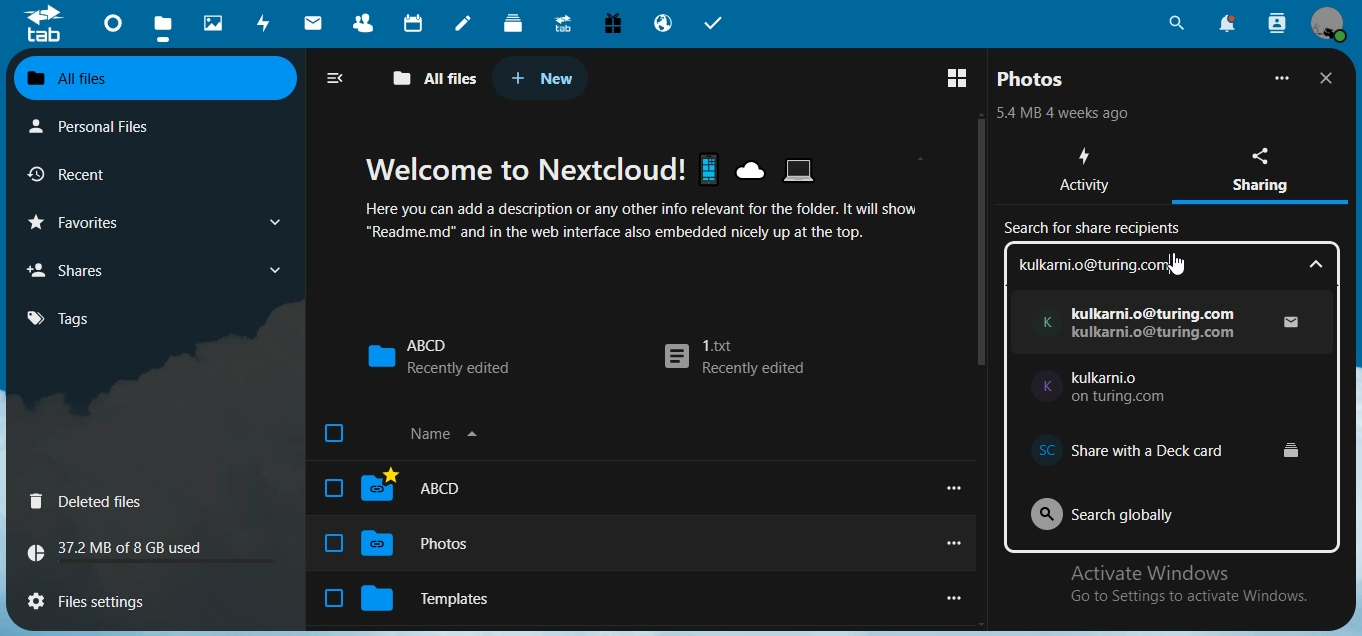 This screenshot has height=636, width=1362. What do you see at coordinates (1128, 388) in the screenshot?
I see `mail id` at bounding box center [1128, 388].